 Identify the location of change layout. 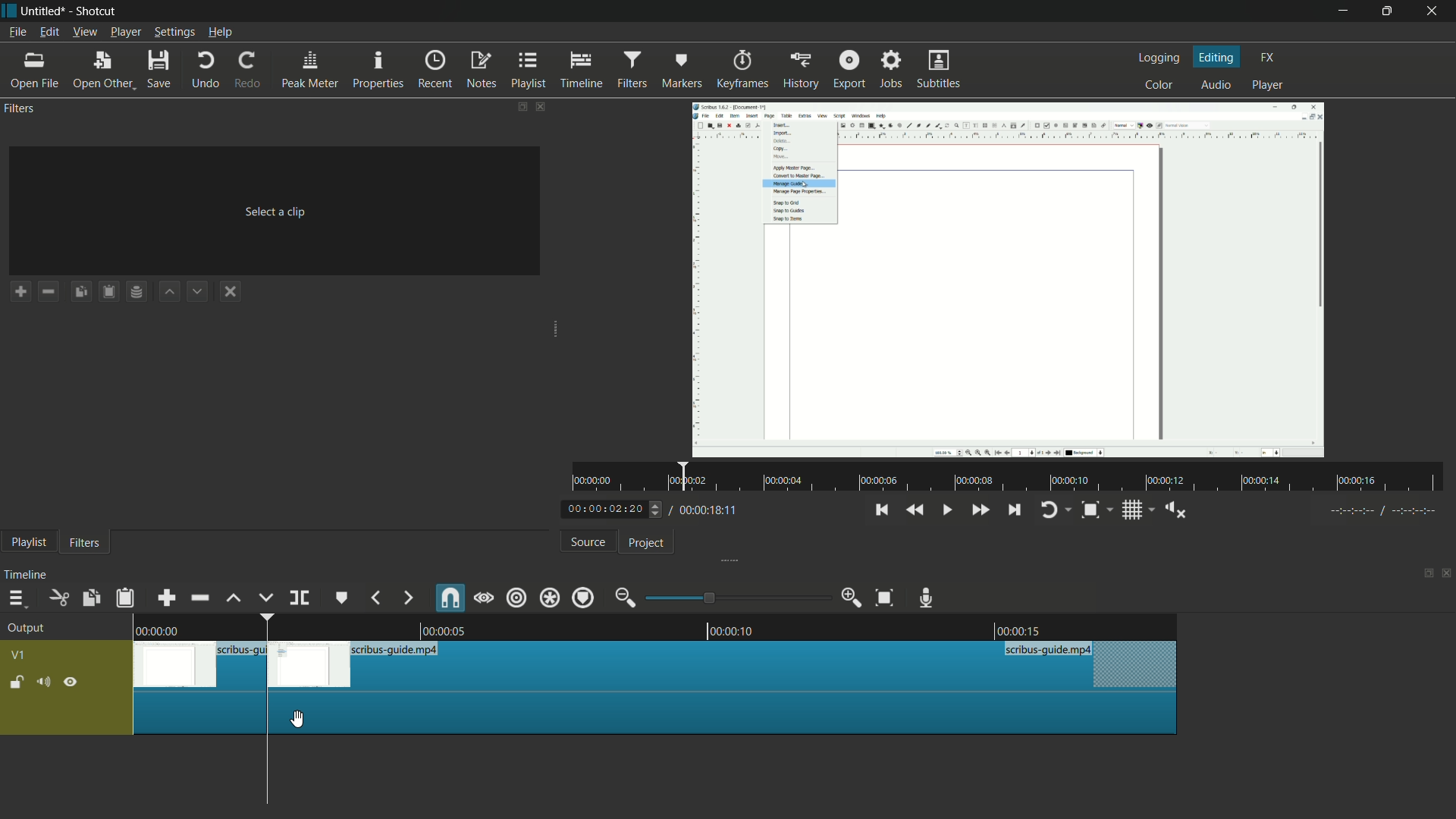
(1426, 575).